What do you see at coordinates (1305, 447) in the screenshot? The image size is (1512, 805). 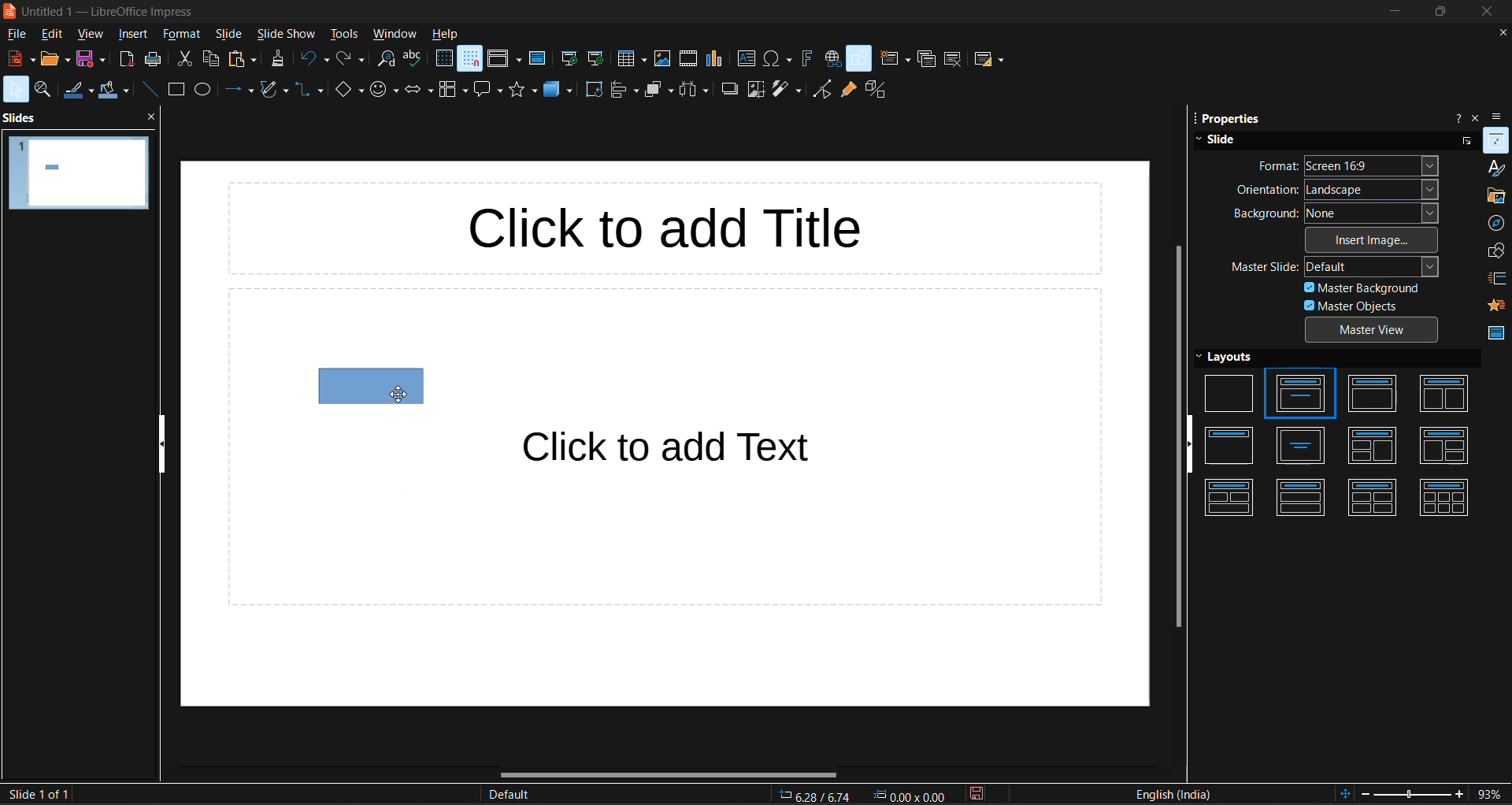 I see `centered text` at bounding box center [1305, 447].